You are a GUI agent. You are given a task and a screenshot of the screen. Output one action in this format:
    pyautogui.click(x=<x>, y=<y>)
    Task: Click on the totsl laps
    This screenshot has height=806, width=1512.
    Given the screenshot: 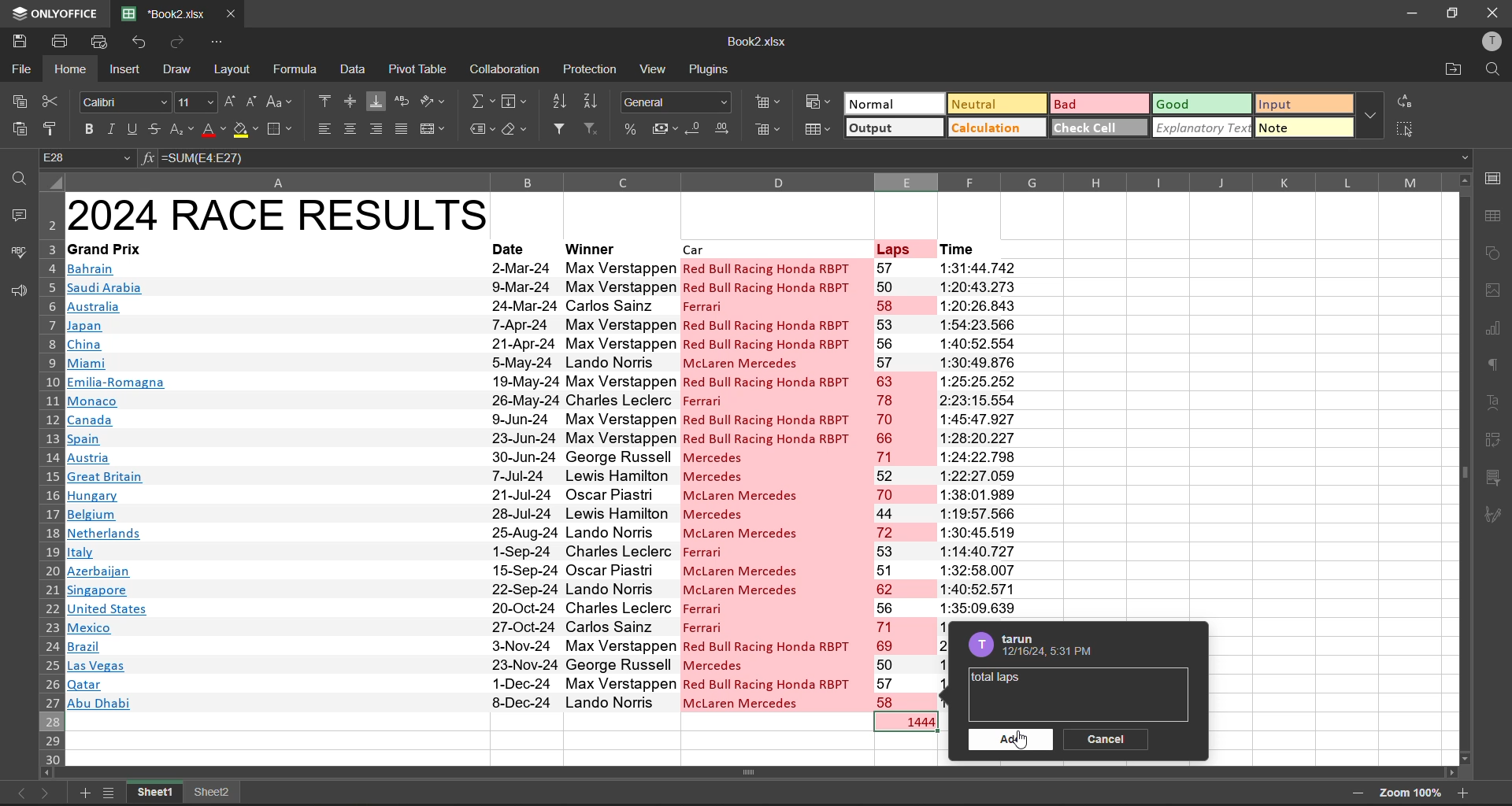 What is the action you would take?
    pyautogui.click(x=912, y=723)
    